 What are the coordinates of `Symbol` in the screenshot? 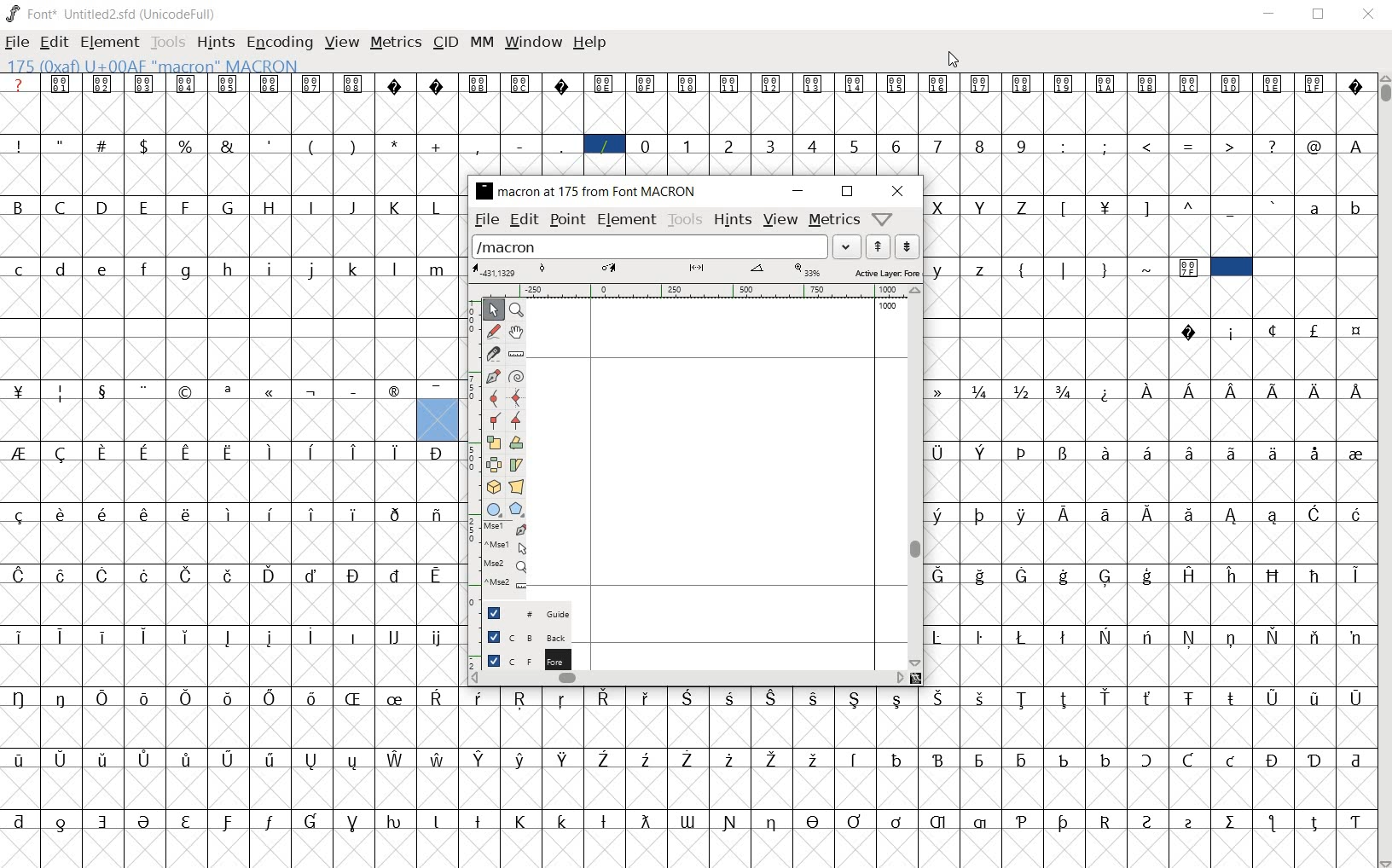 It's located at (1107, 576).